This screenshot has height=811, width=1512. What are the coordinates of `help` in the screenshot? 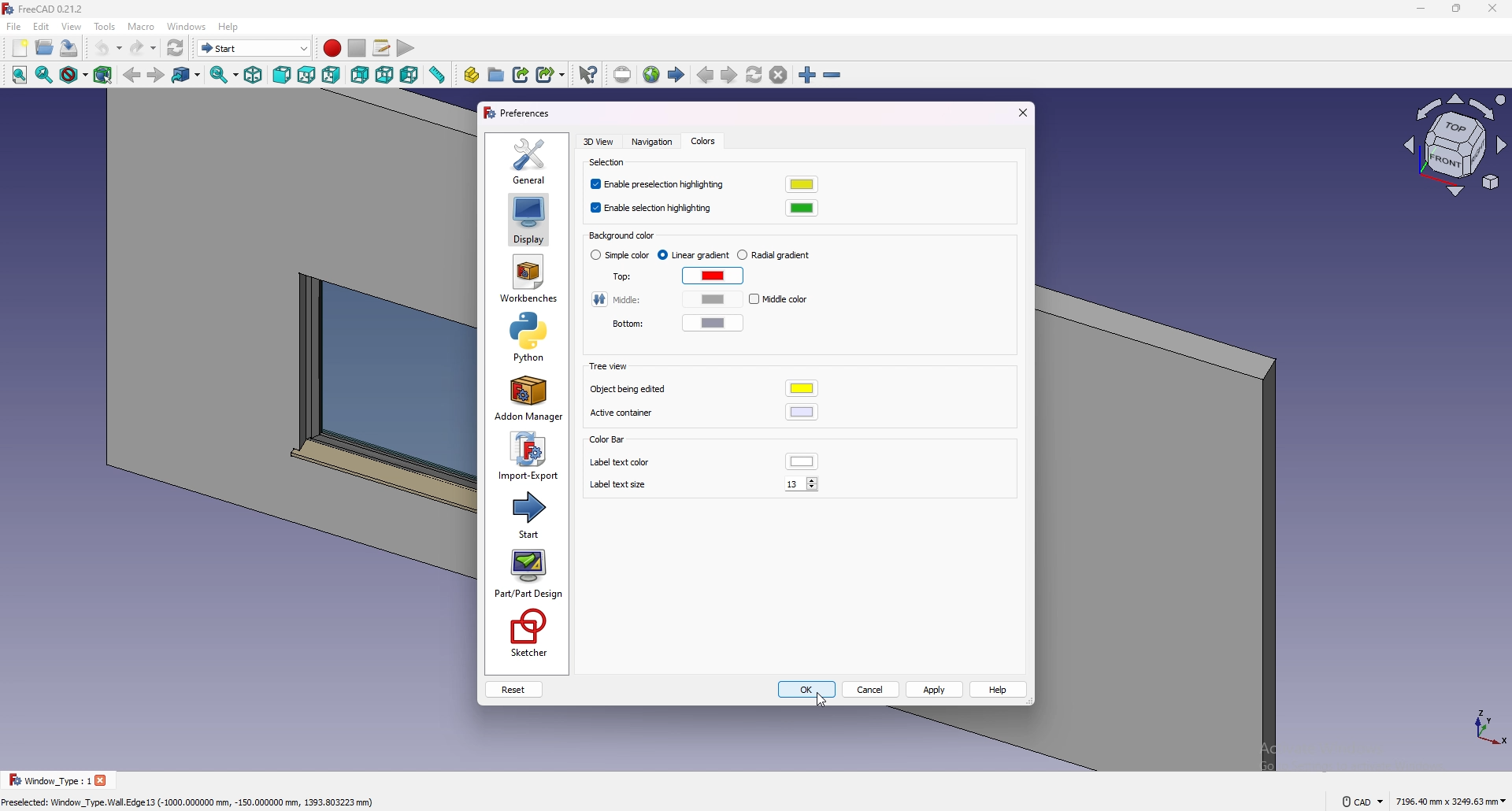 It's located at (999, 690).